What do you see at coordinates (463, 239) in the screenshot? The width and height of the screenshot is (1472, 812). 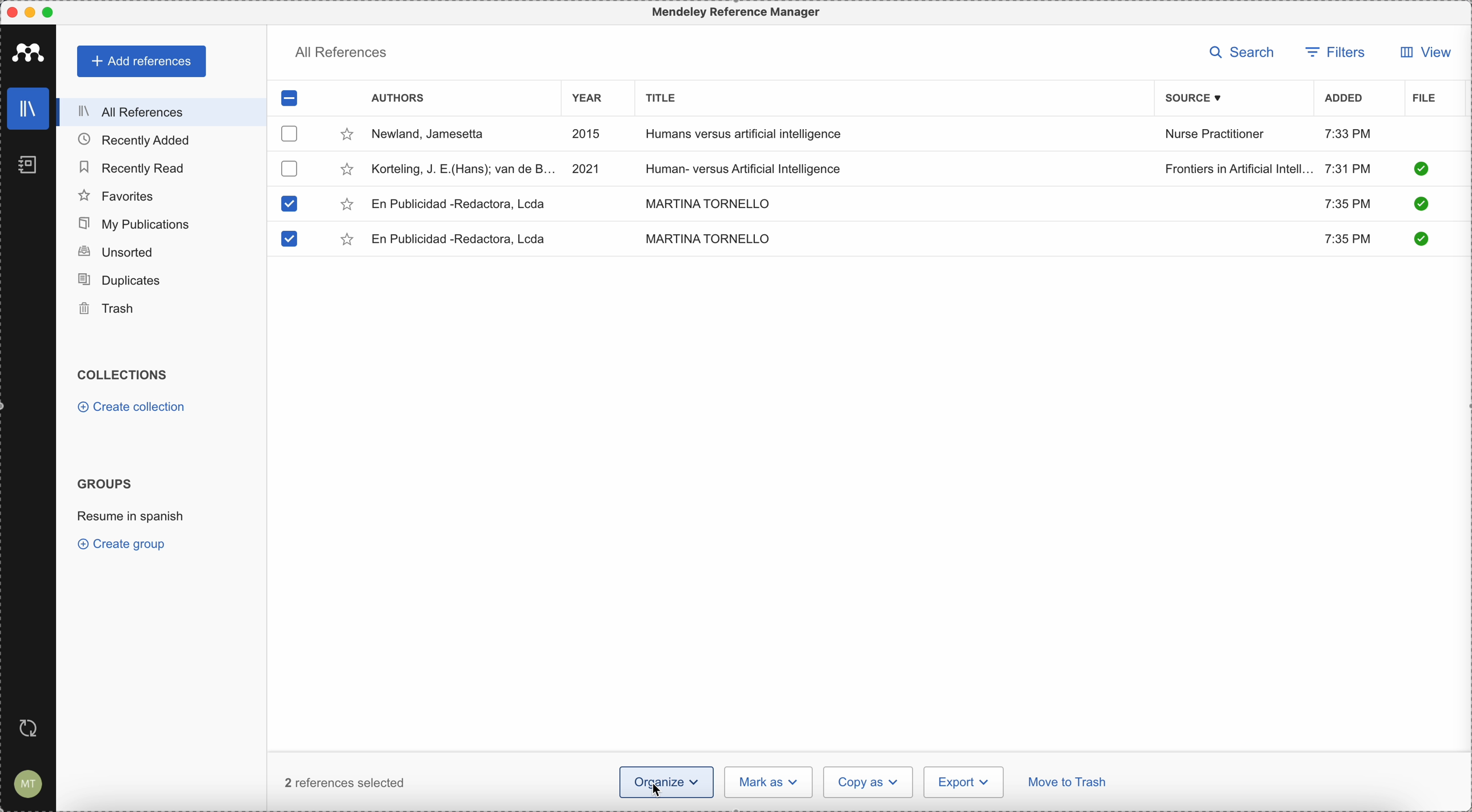 I see `En Publicidad-Redactora, Lcda` at bounding box center [463, 239].